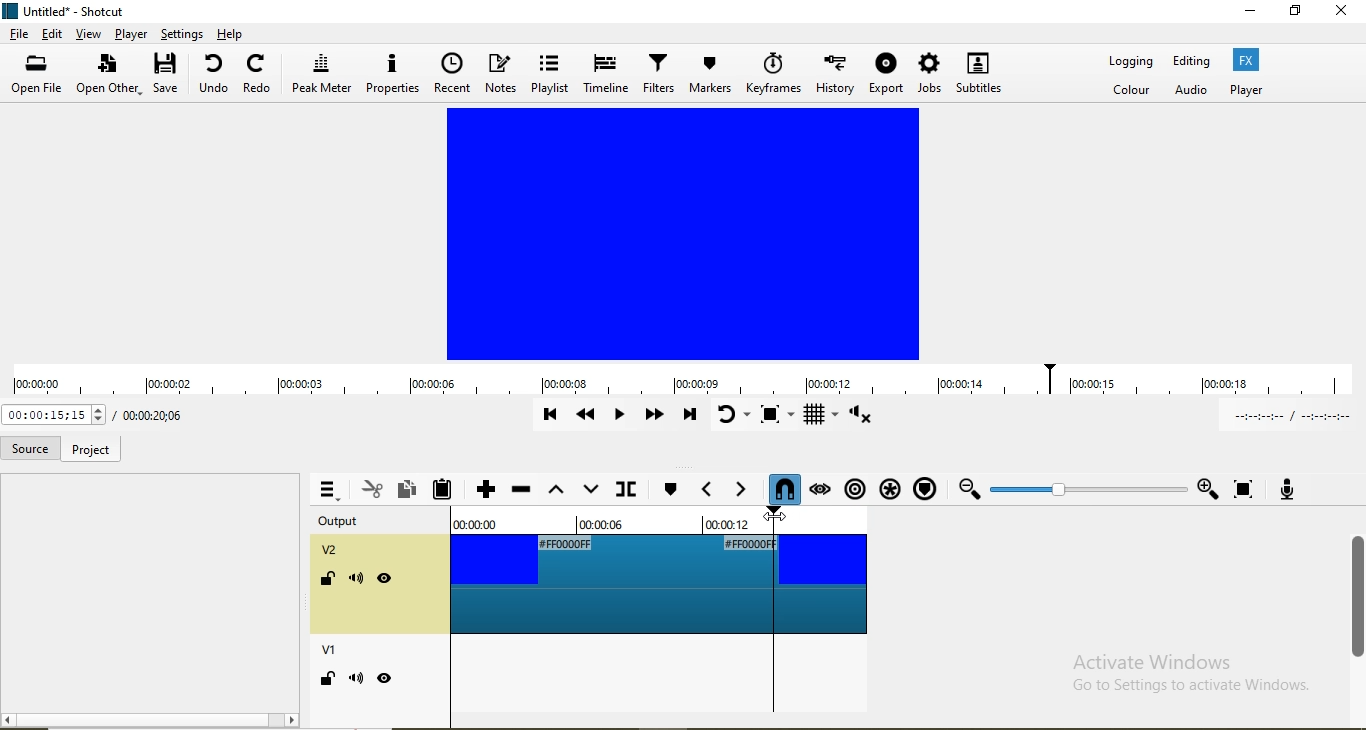  What do you see at coordinates (864, 418) in the screenshot?
I see `Show volume control` at bounding box center [864, 418].